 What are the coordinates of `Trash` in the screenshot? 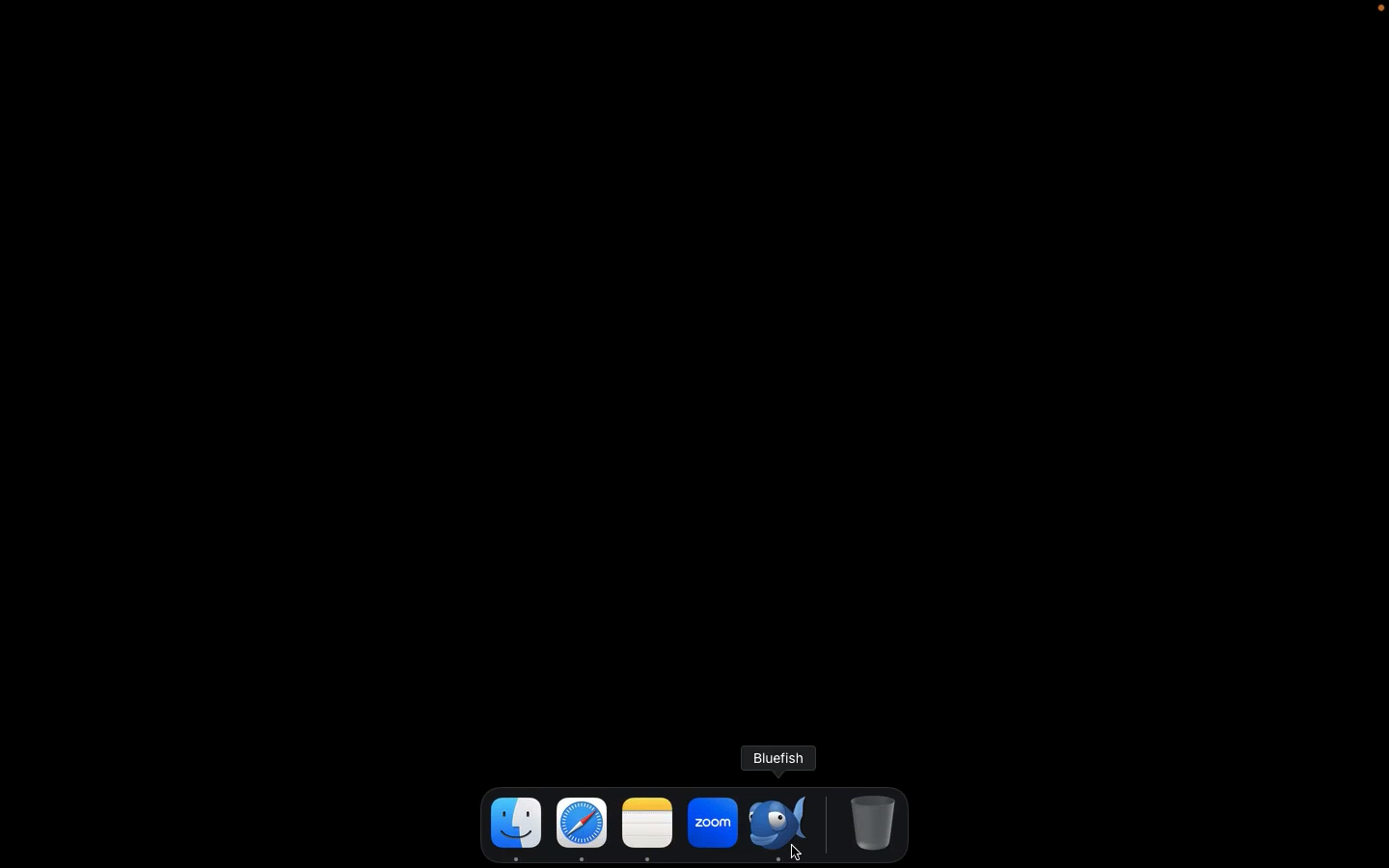 It's located at (874, 823).